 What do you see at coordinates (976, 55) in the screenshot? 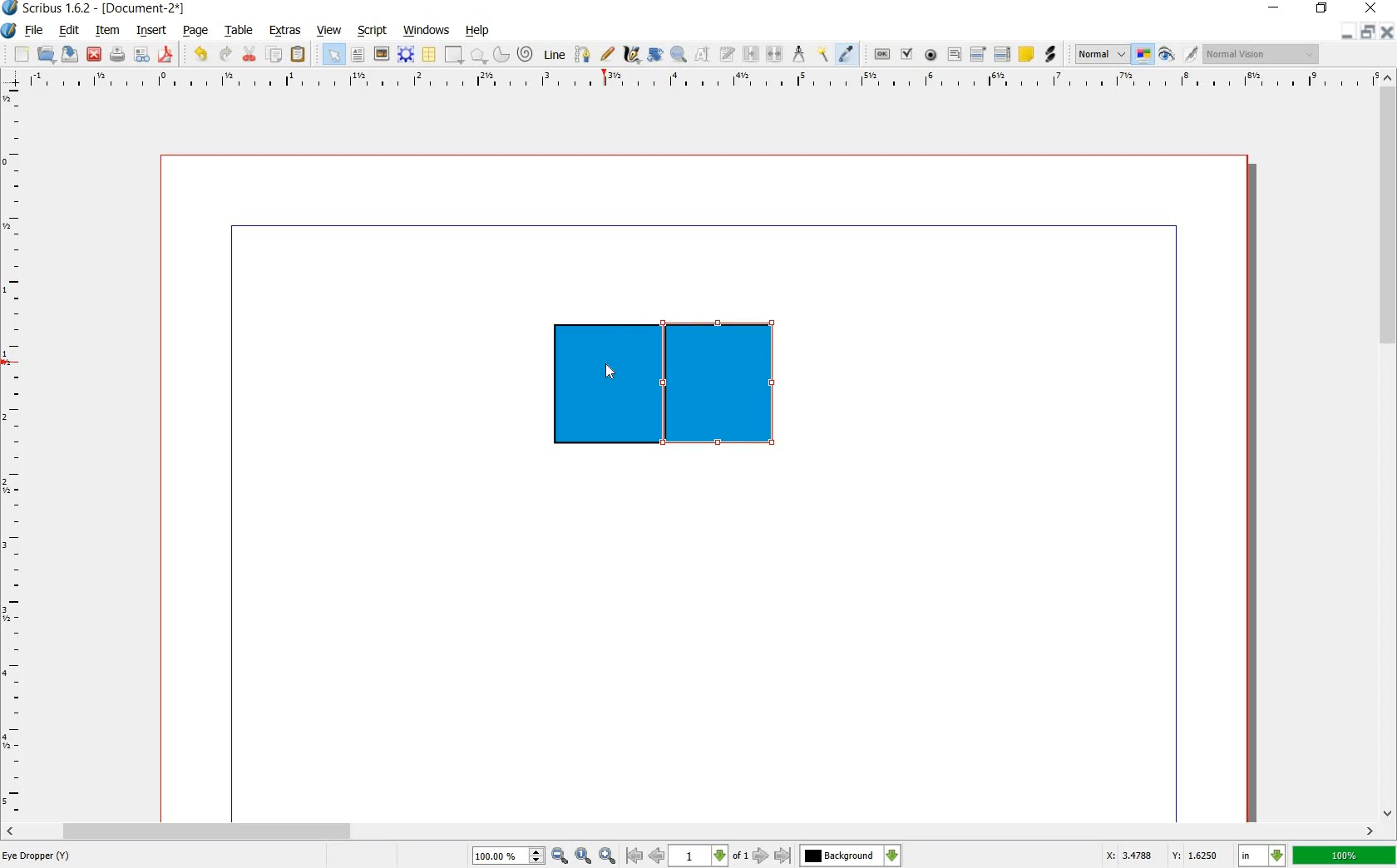
I see `pdf combo box` at bounding box center [976, 55].